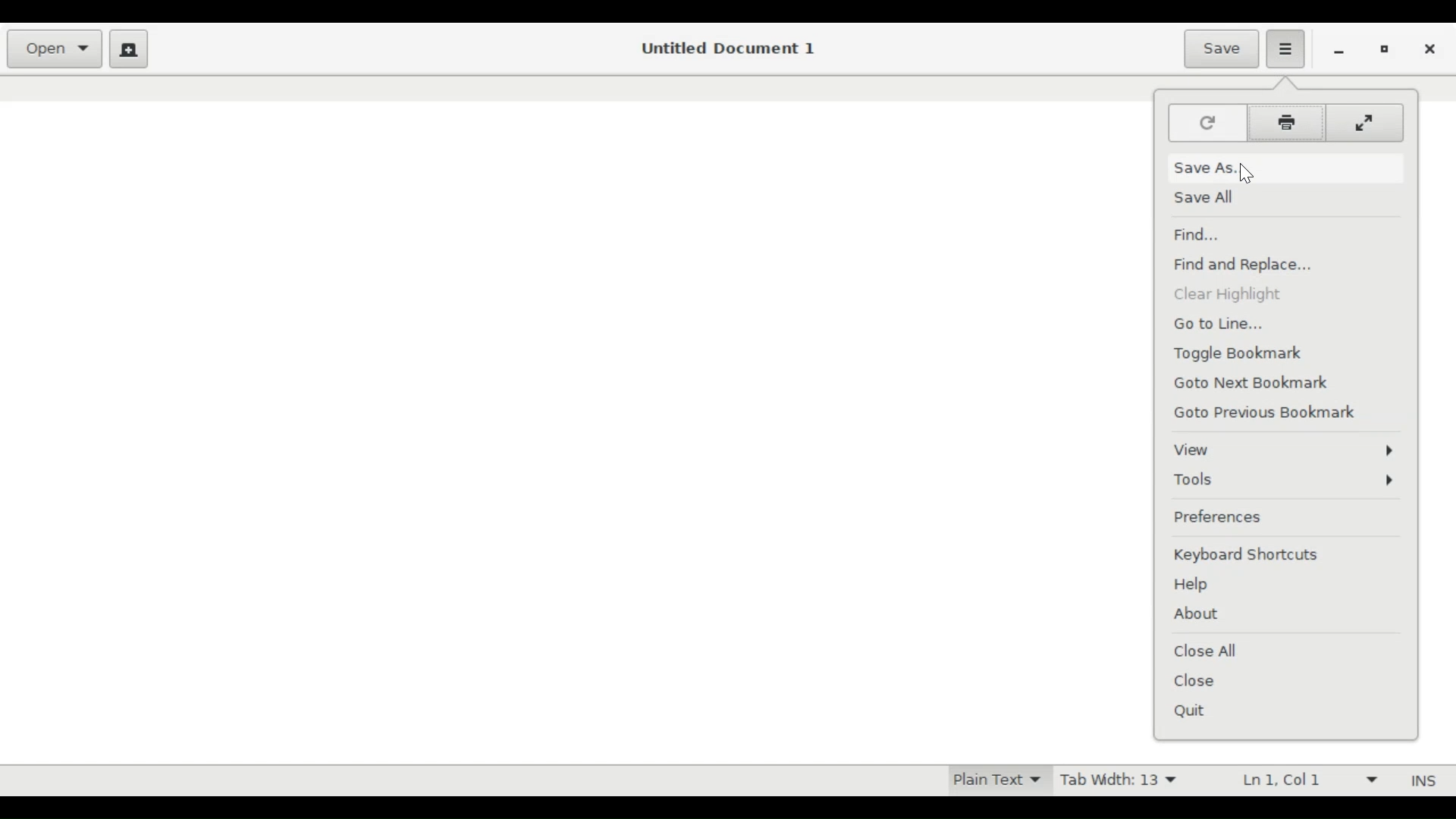 The image size is (1456, 819). What do you see at coordinates (1386, 52) in the screenshot?
I see `Restore` at bounding box center [1386, 52].